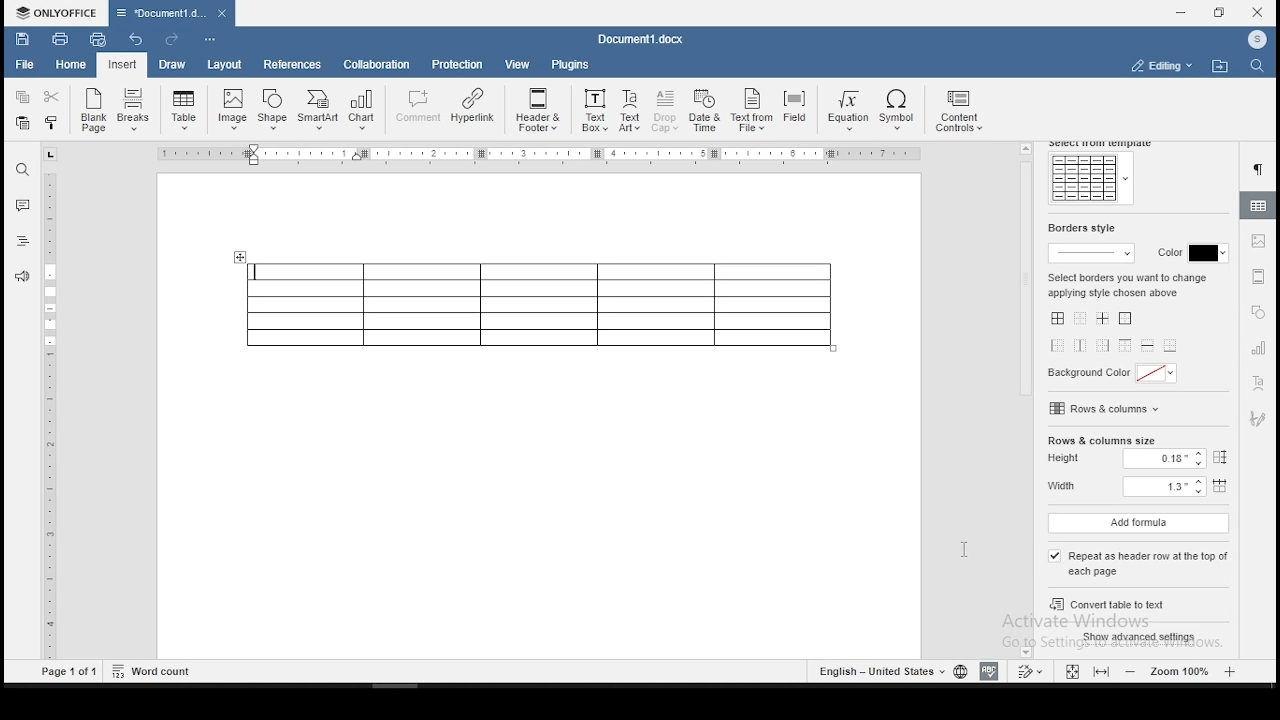 The width and height of the screenshot is (1280, 720). What do you see at coordinates (234, 109) in the screenshot?
I see `Image` at bounding box center [234, 109].